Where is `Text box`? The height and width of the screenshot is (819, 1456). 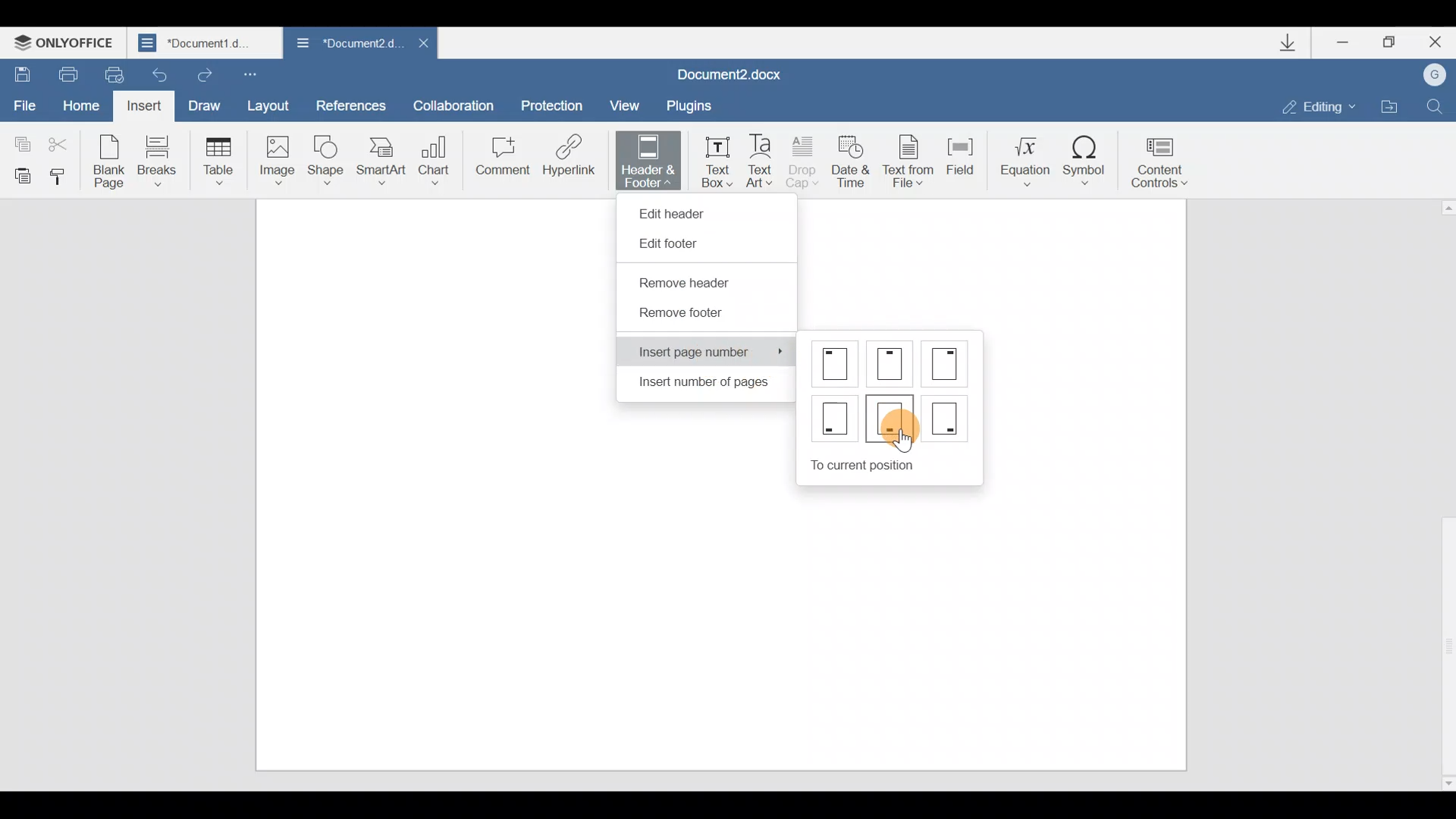 Text box is located at coordinates (713, 159).